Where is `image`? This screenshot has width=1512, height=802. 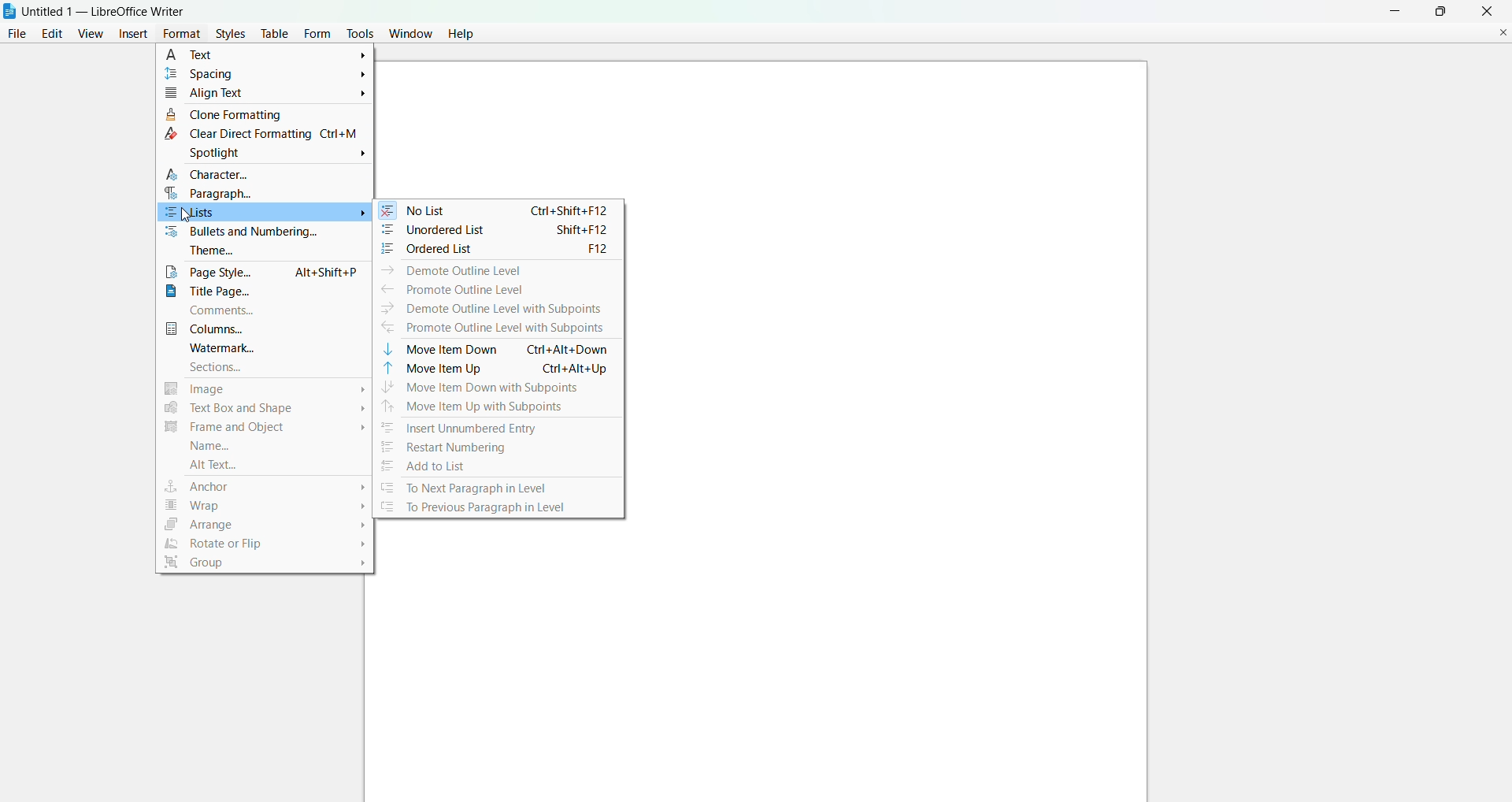
image is located at coordinates (262, 388).